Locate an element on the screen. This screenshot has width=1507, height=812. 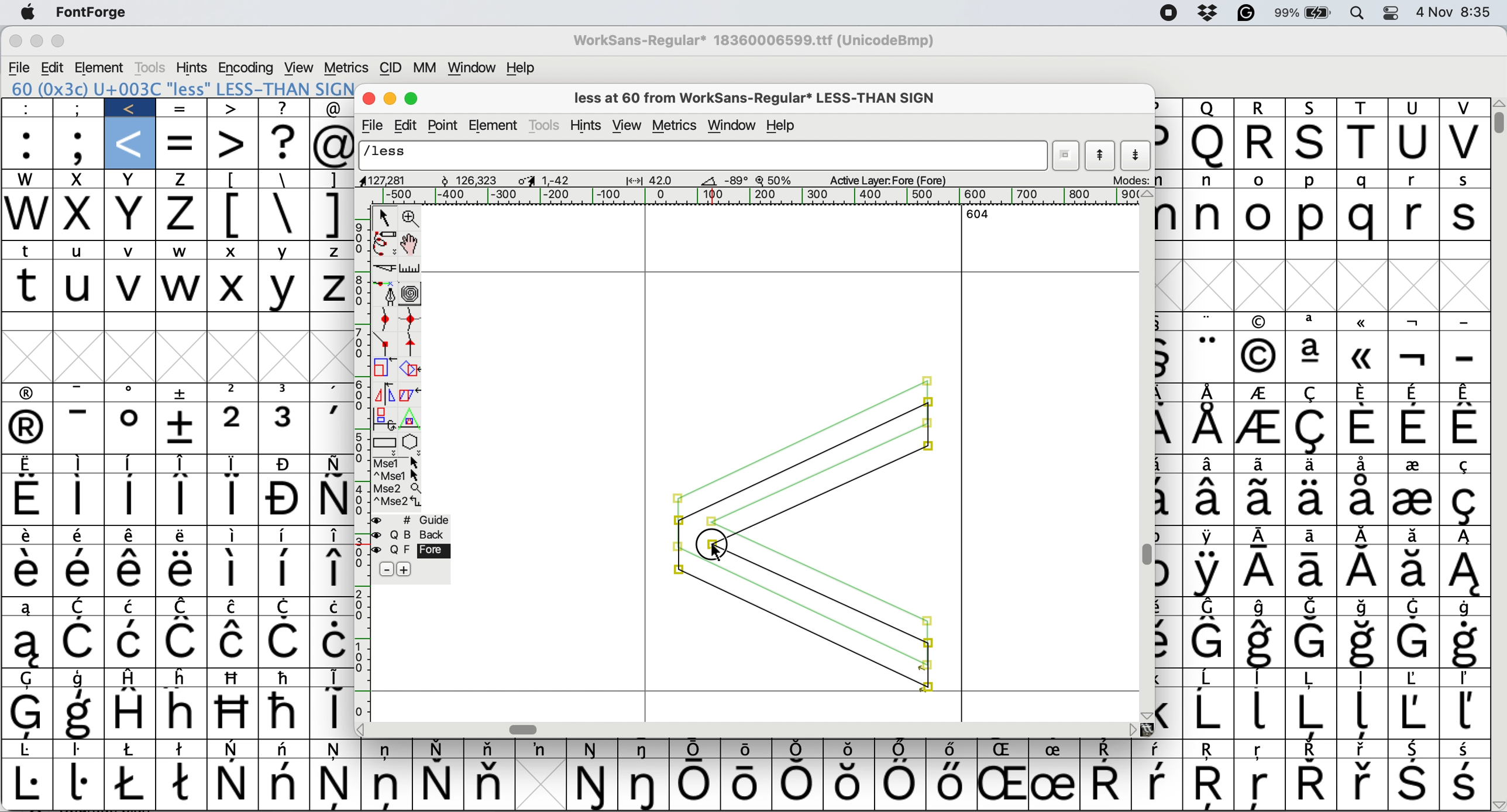
Symbol is located at coordinates (1364, 572).